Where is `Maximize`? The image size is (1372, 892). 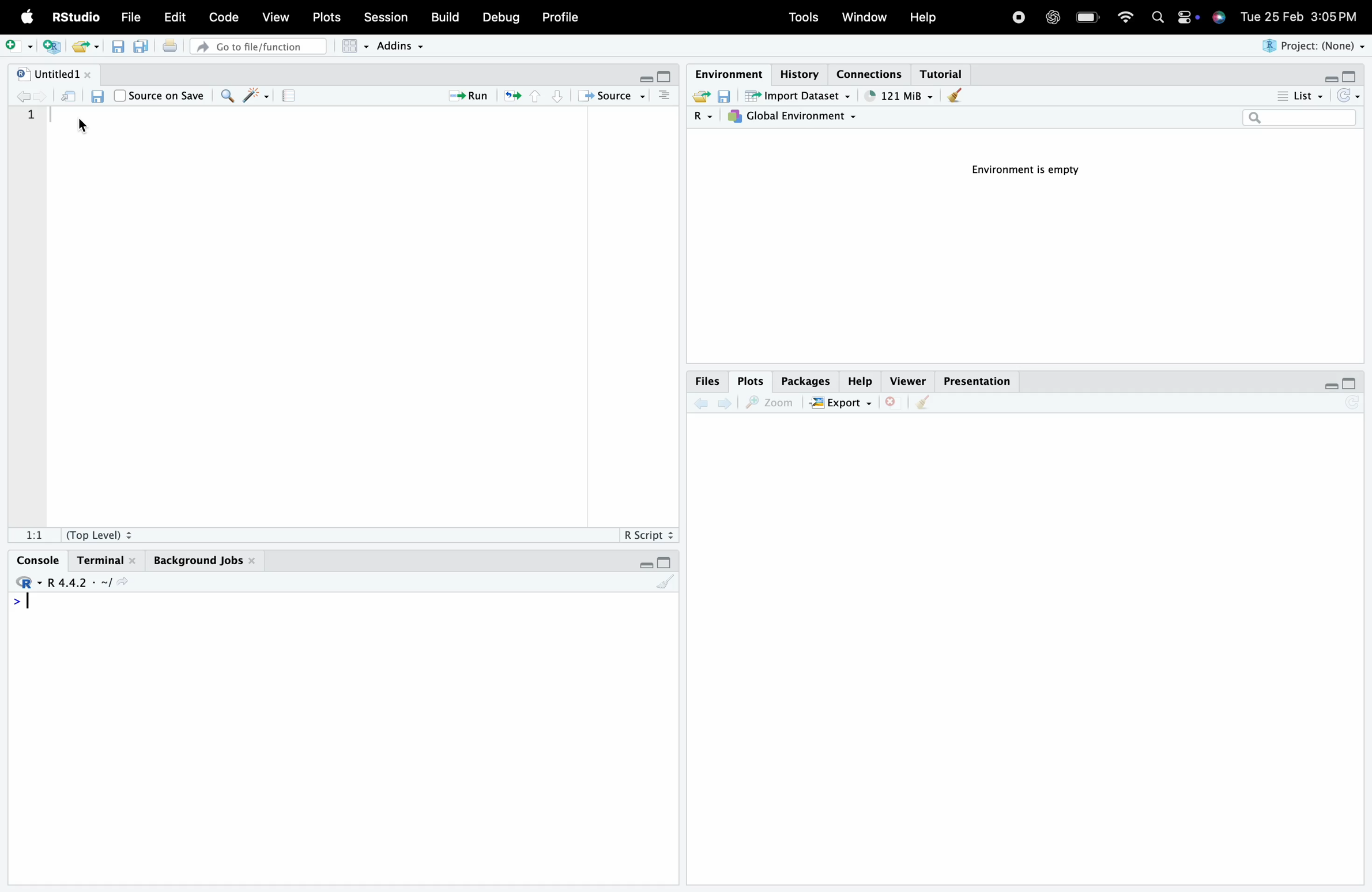
Maximize is located at coordinates (664, 562).